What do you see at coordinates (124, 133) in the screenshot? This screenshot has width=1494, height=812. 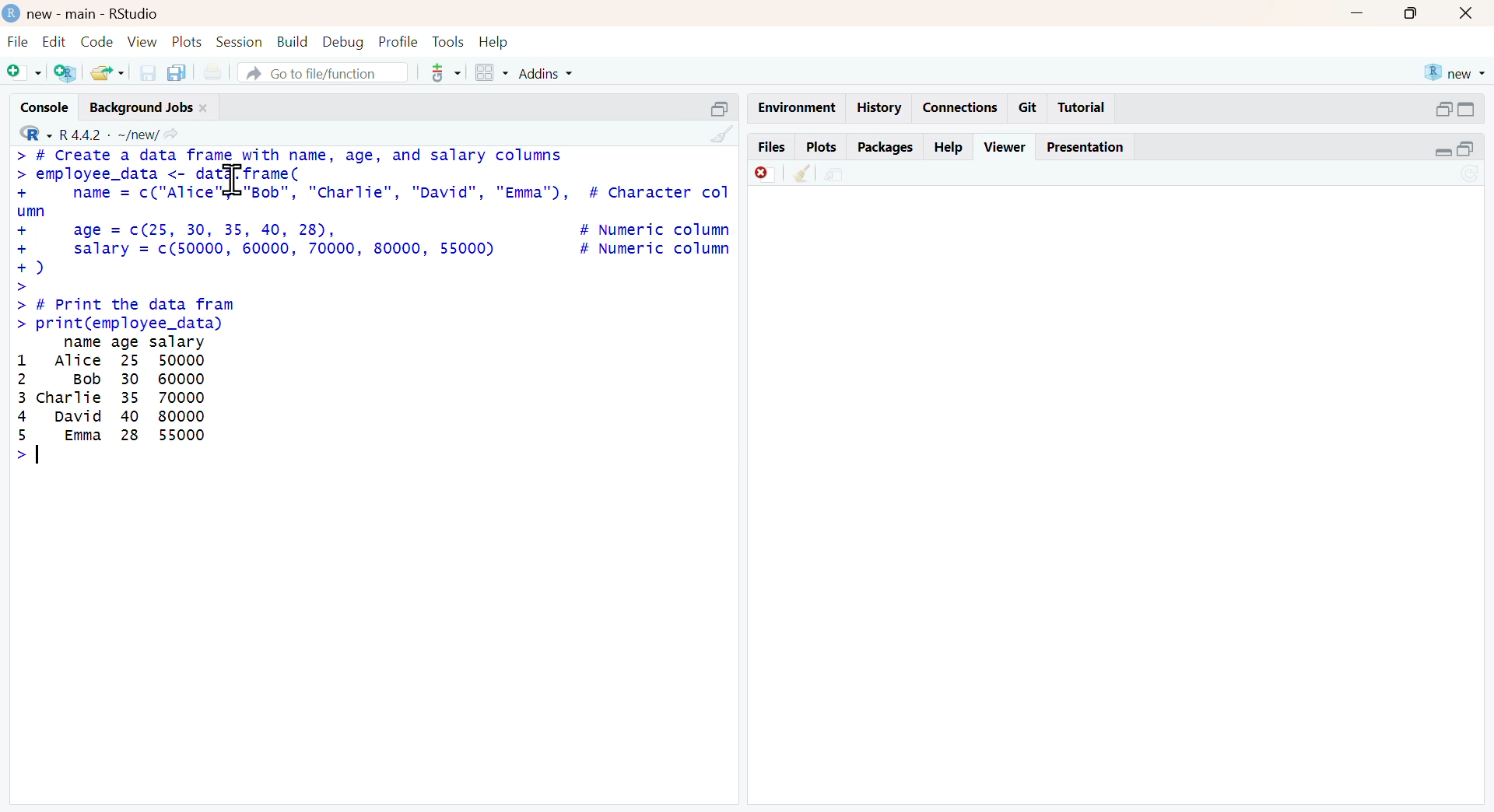 I see `R442 - ~/new/` at bounding box center [124, 133].